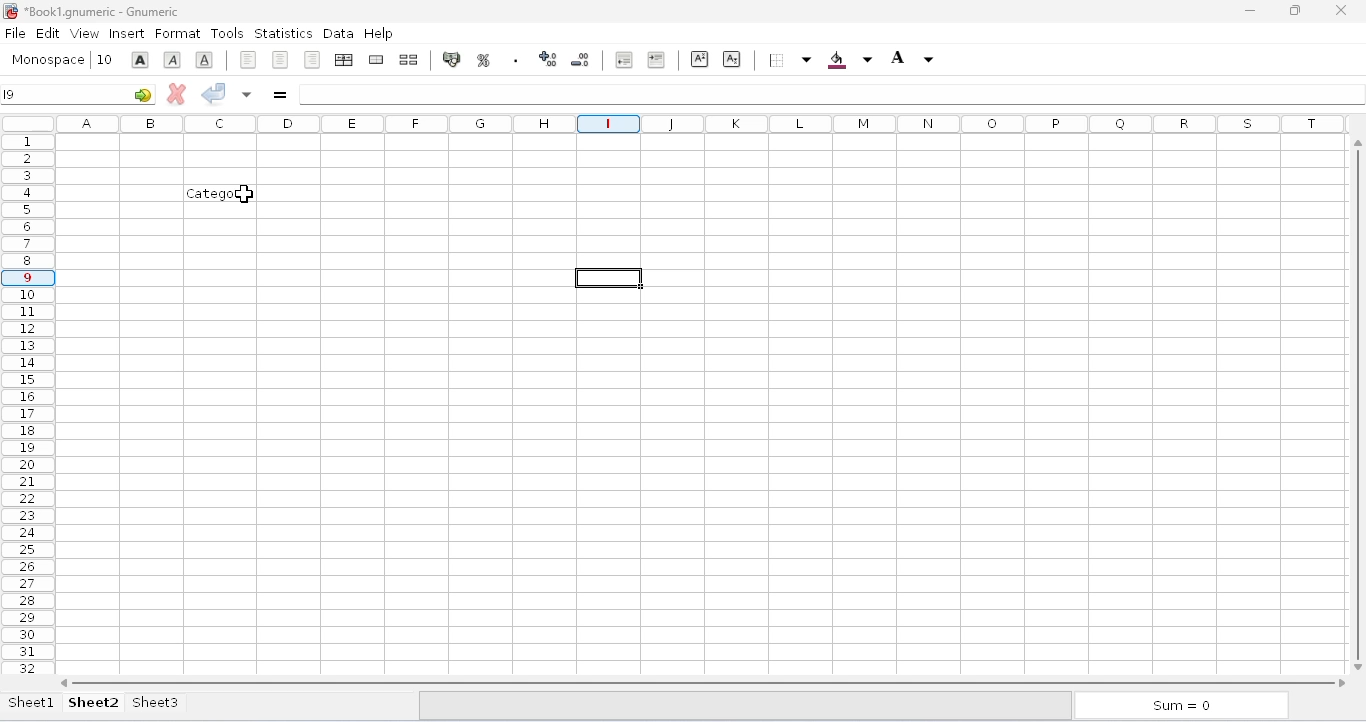  Describe the element at coordinates (409, 59) in the screenshot. I see `split merged range of cells` at that location.